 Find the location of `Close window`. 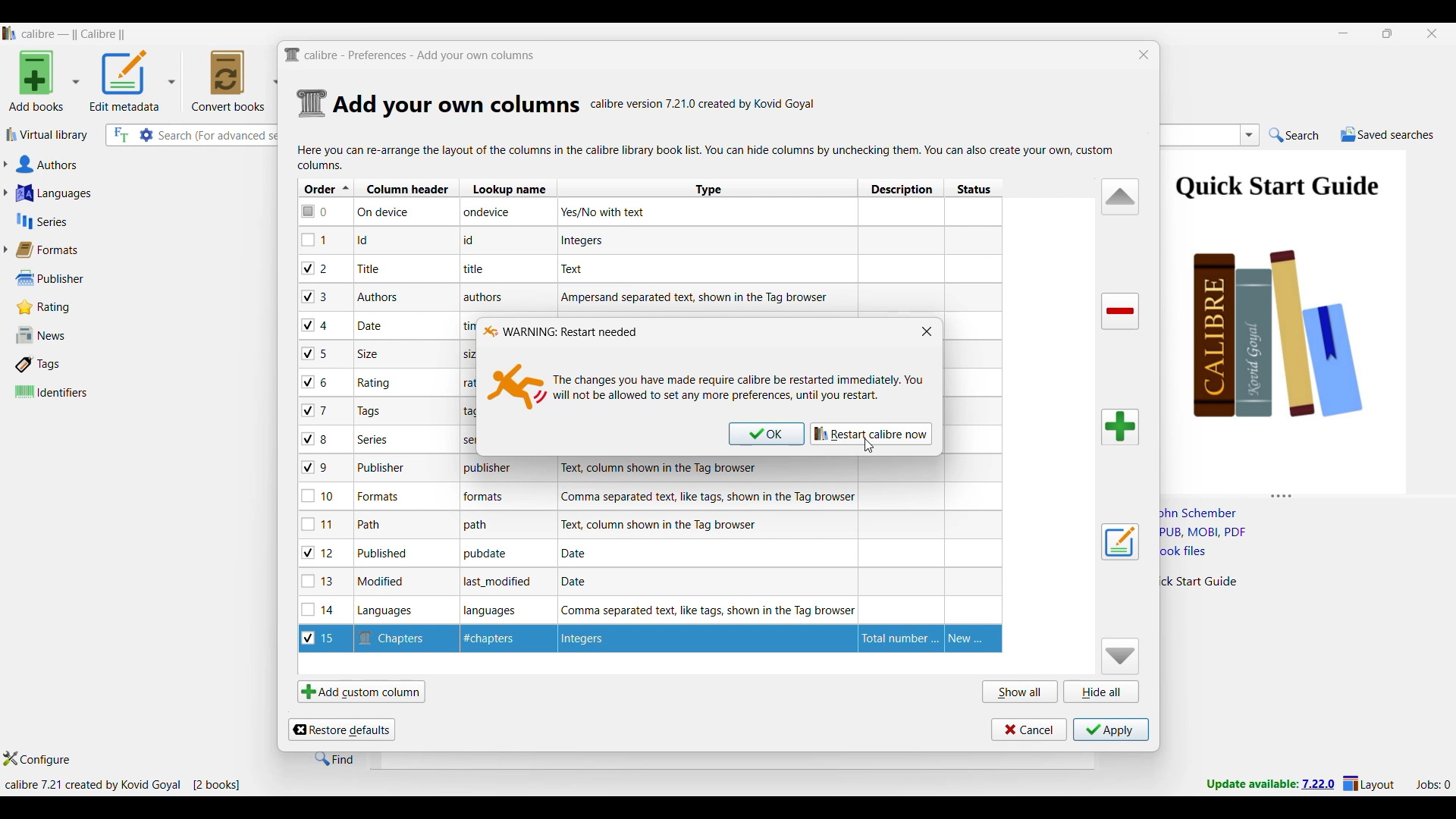

Close window is located at coordinates (1144, 55).